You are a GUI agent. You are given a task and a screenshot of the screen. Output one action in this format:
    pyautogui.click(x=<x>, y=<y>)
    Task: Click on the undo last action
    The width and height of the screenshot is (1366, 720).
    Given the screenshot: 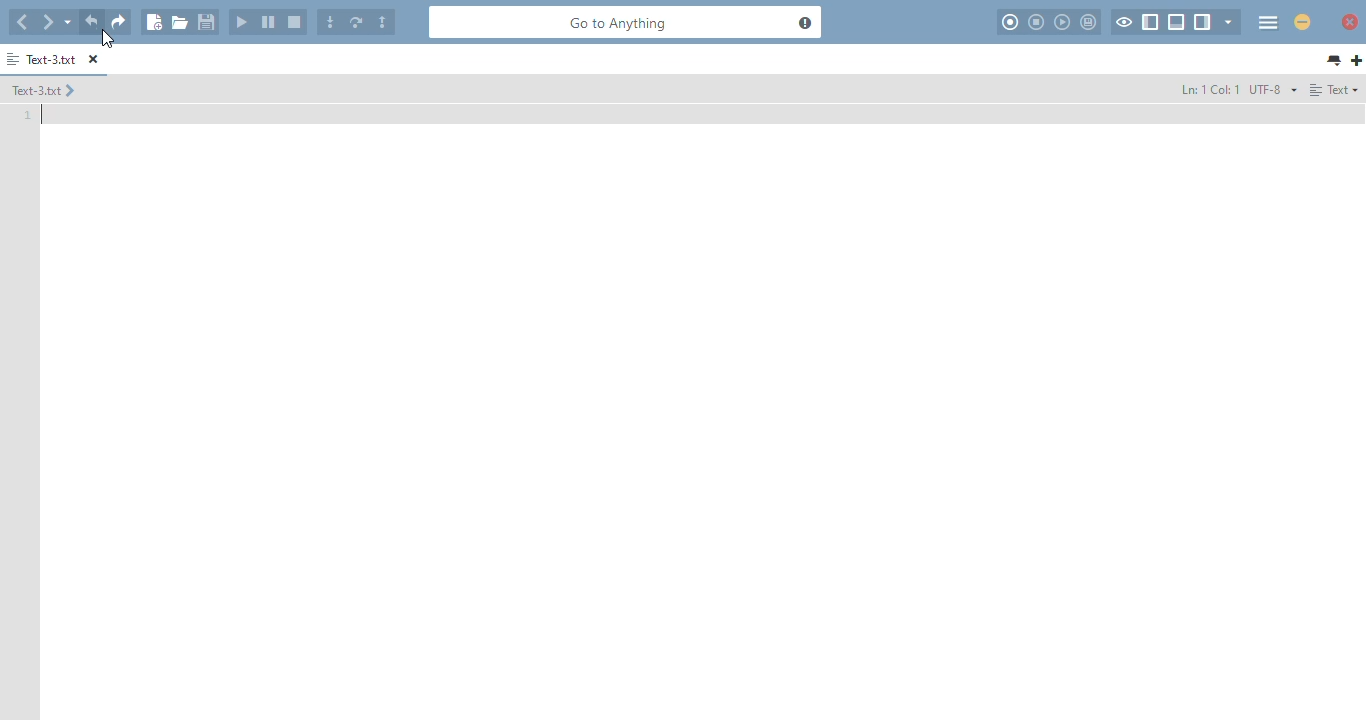 What is the action you would take?
    pyautogui.click(x=92, y=22)
    